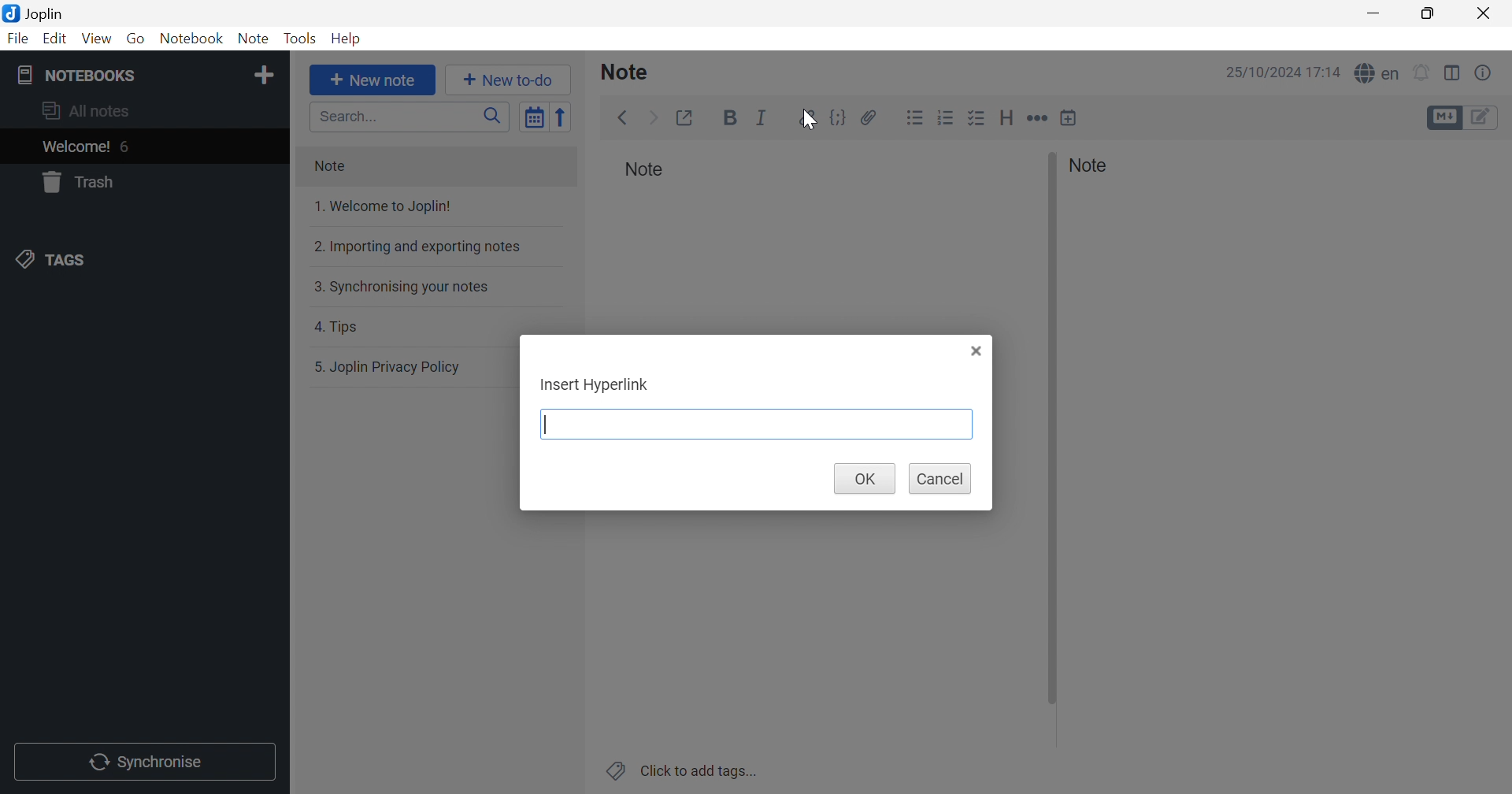  I want to click on Insert time, so click(1069, 117).